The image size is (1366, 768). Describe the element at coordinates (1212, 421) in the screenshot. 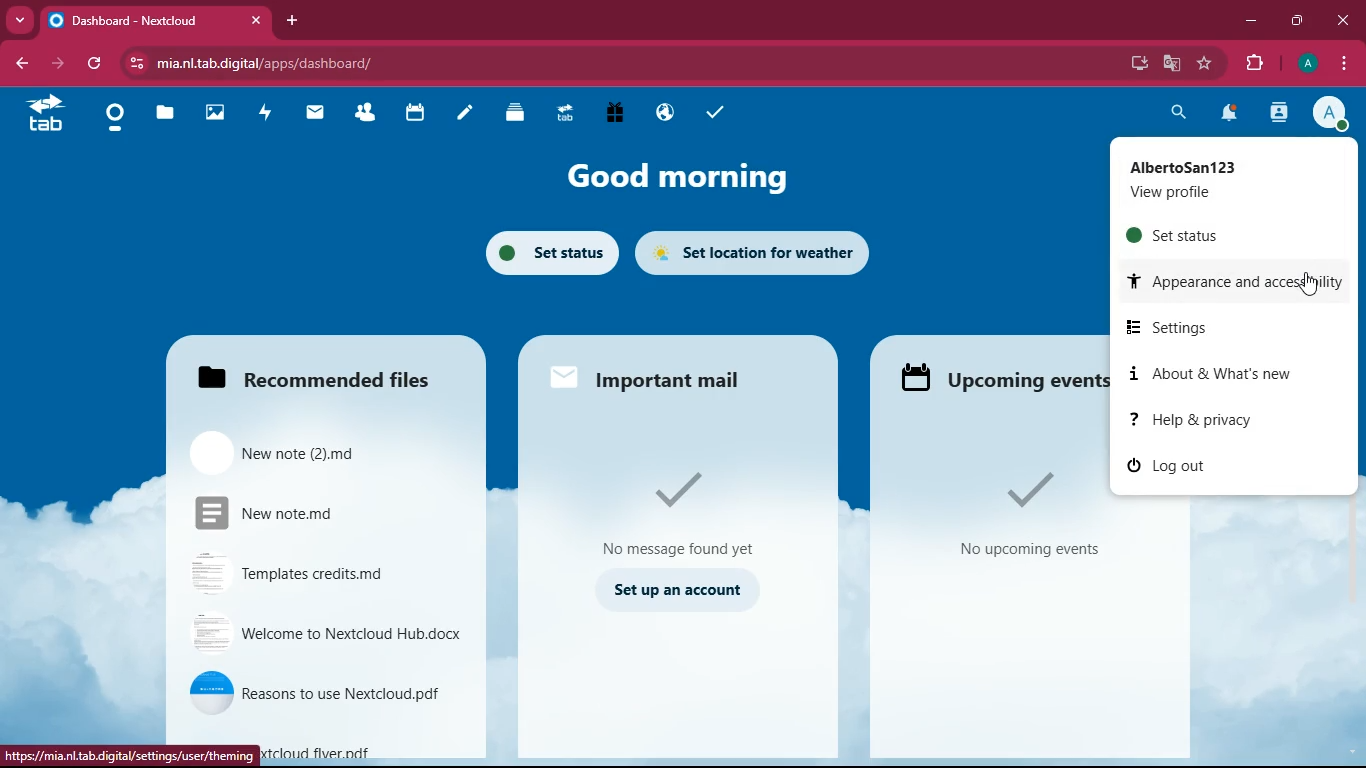

I see `help` at that location.